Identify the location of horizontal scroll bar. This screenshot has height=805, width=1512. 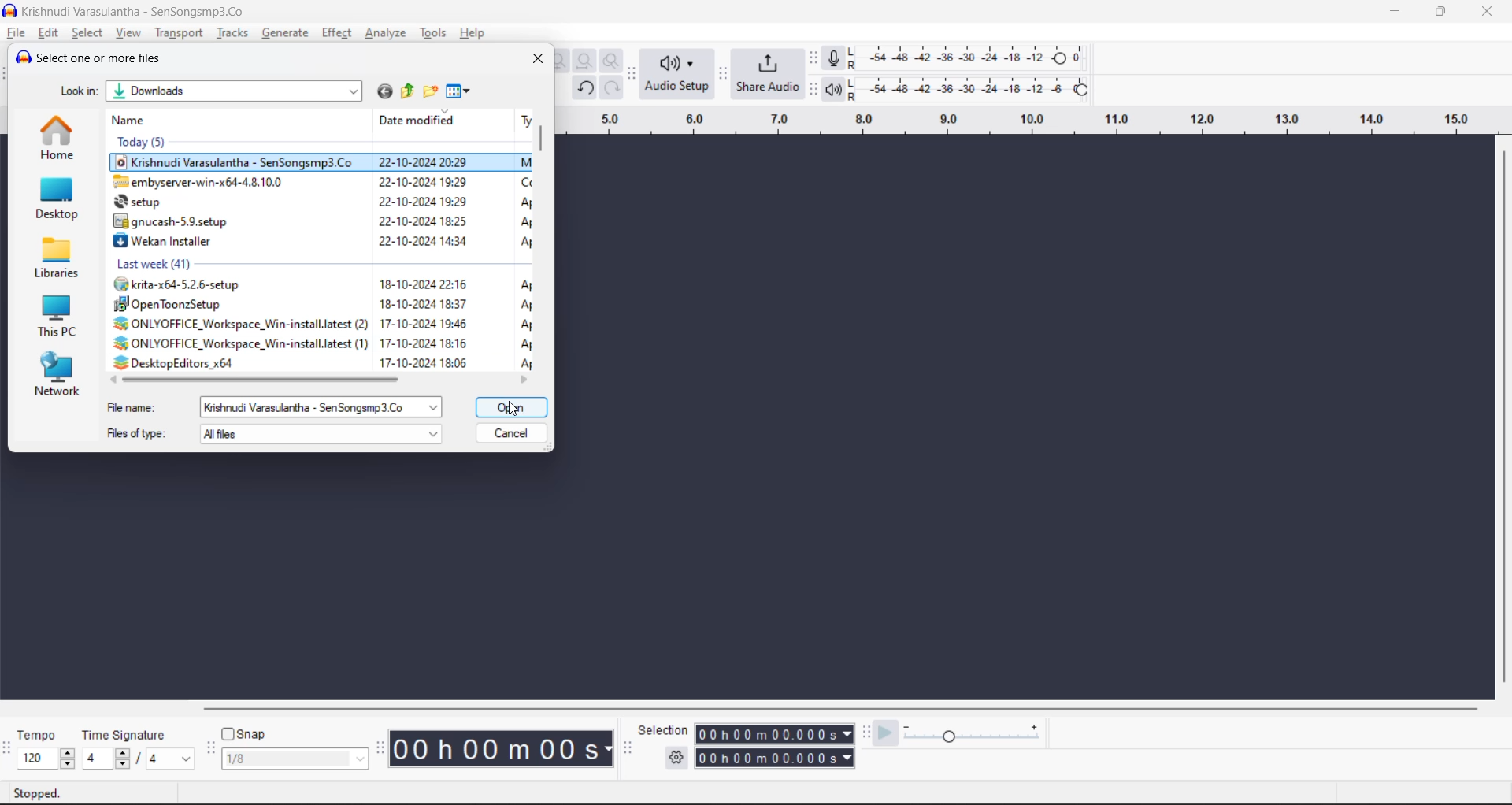
(267, 380).